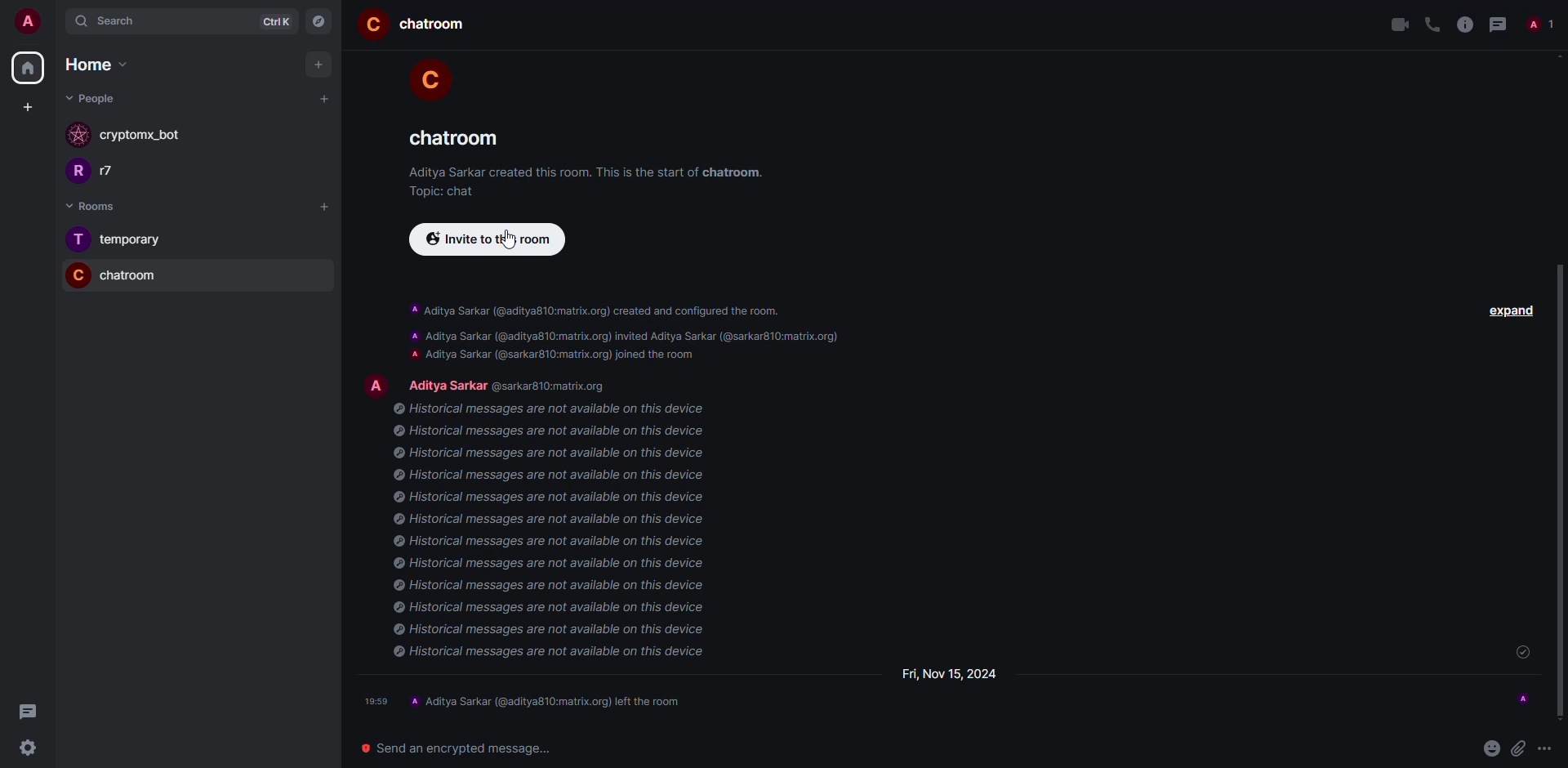  What do you see at coordinates (140, 136) in the screenshot?
I see `bot` at bounding box center [140, 136].